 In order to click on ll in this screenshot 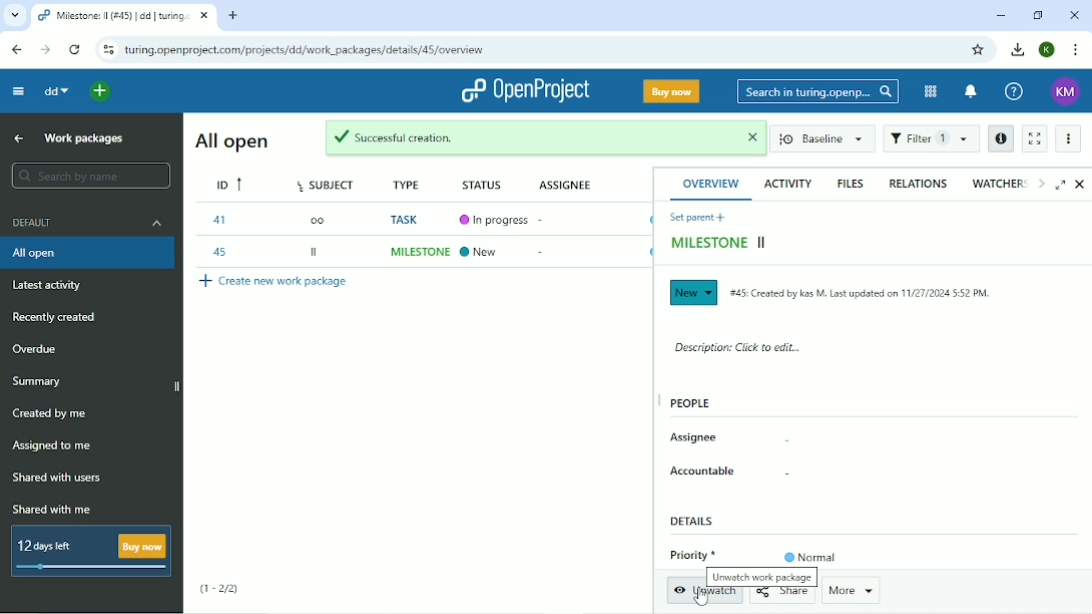, I will do `click(316, 251)`.